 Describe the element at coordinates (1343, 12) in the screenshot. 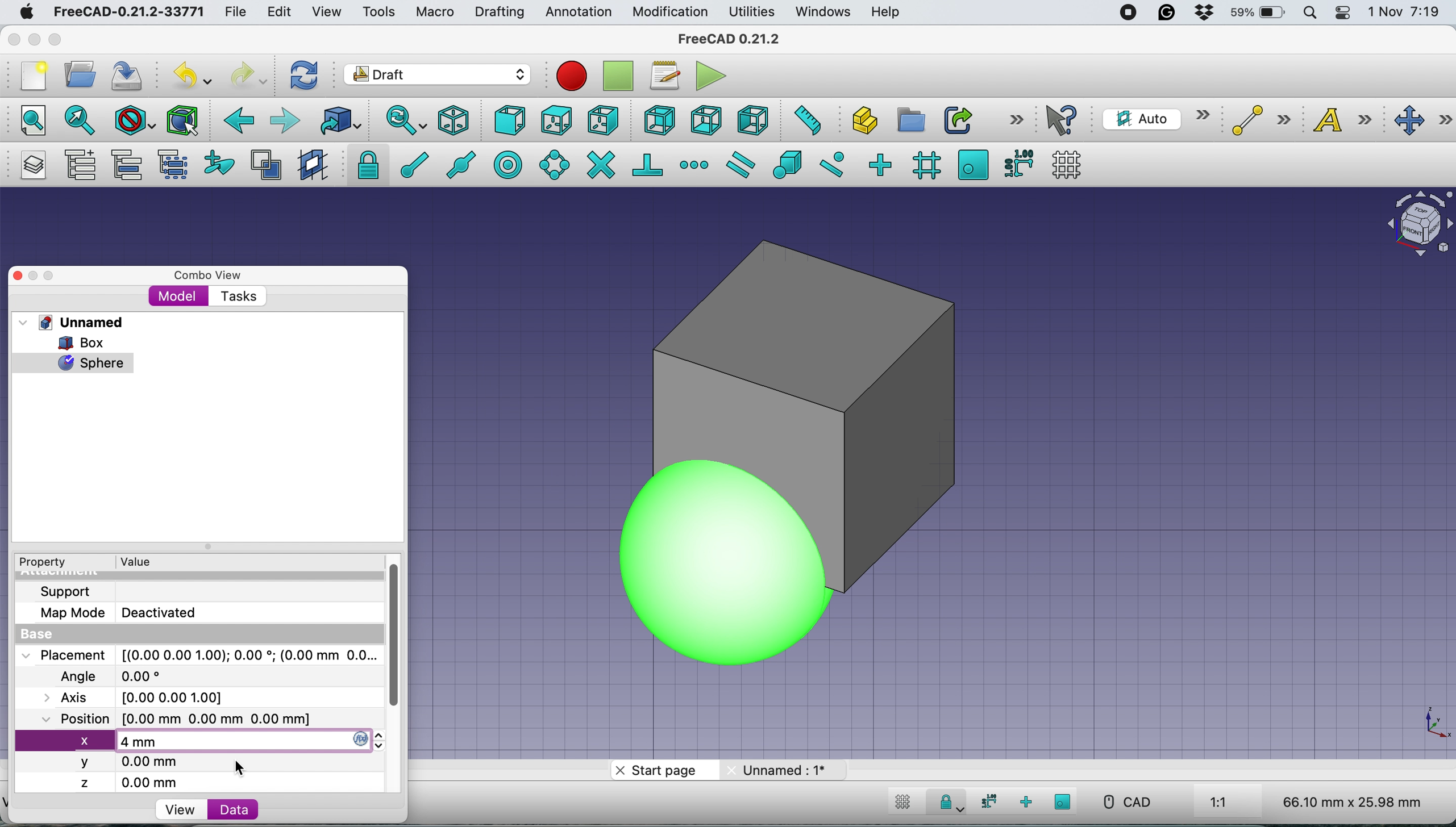

I see `control center` at that location.